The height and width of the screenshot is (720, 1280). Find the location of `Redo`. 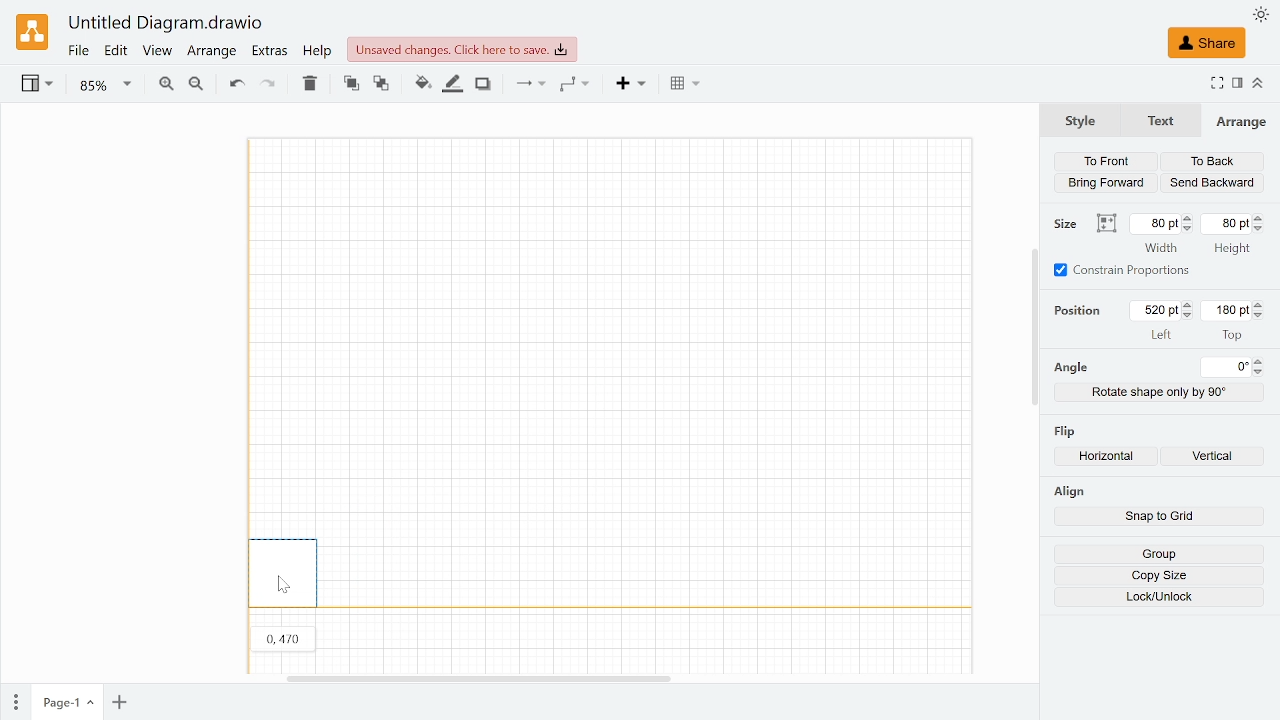

Redo is located at coordinates (267, 85).